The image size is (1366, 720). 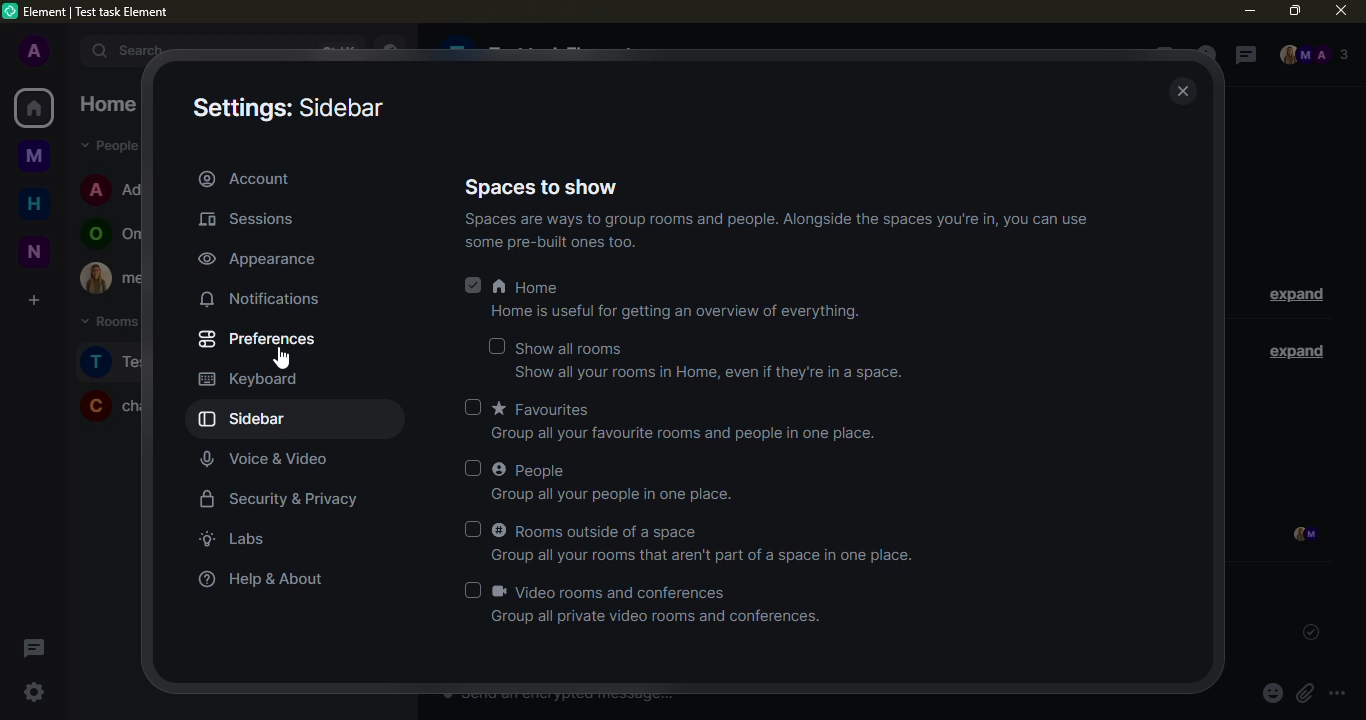 What do you see at coordinates (1242, 56) in the screenshot?
I see `threads` at bounding box center [1242, 56].